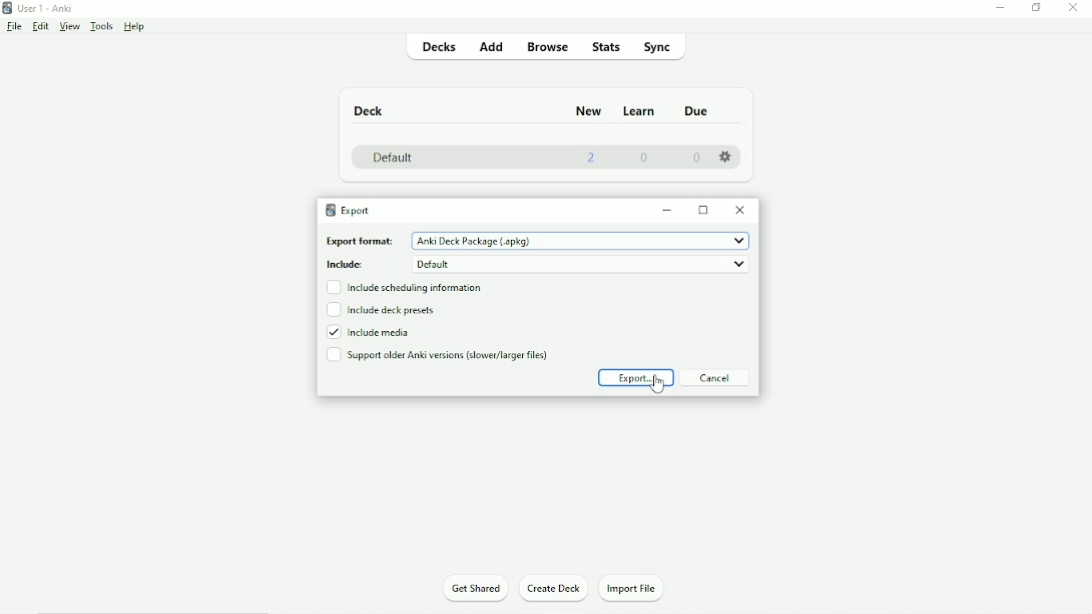 The image size is (1092, 614). What do you see at coordinates (103, 26) in the screenshot?
I see `Tools` at bounding box center [103, 26].